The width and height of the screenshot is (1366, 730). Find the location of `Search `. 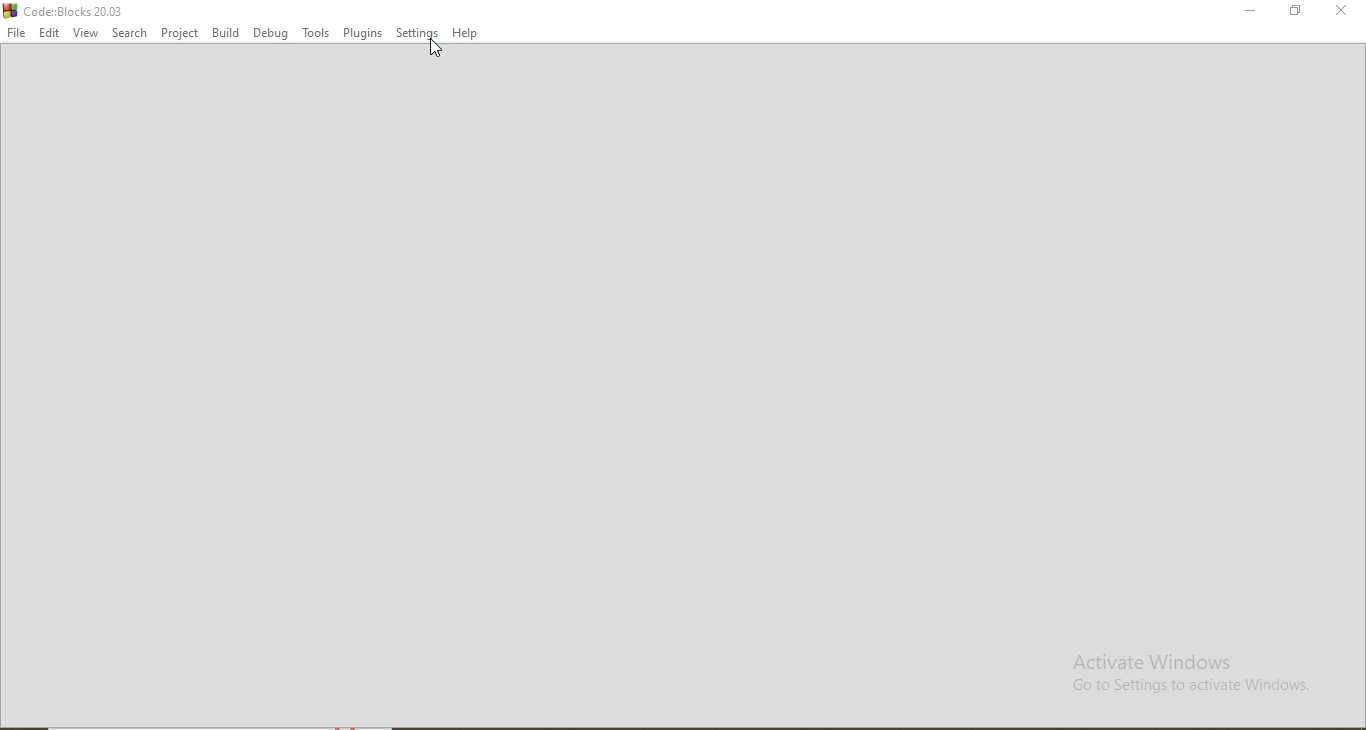

Search  is located at coordinates (129, 32).